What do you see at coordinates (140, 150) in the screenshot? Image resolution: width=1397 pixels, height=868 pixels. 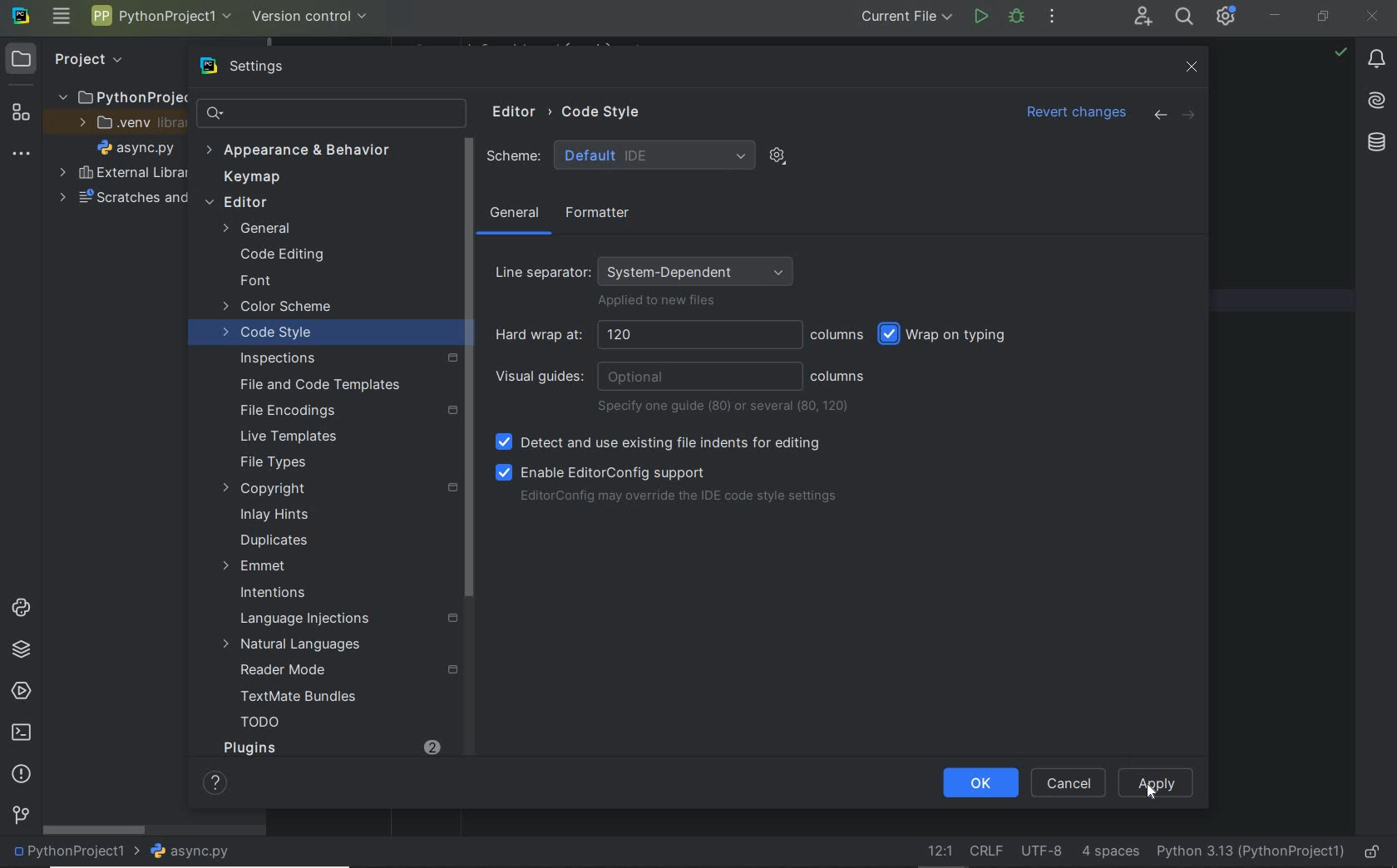 I see `file name` at bounding box center [140, 150].